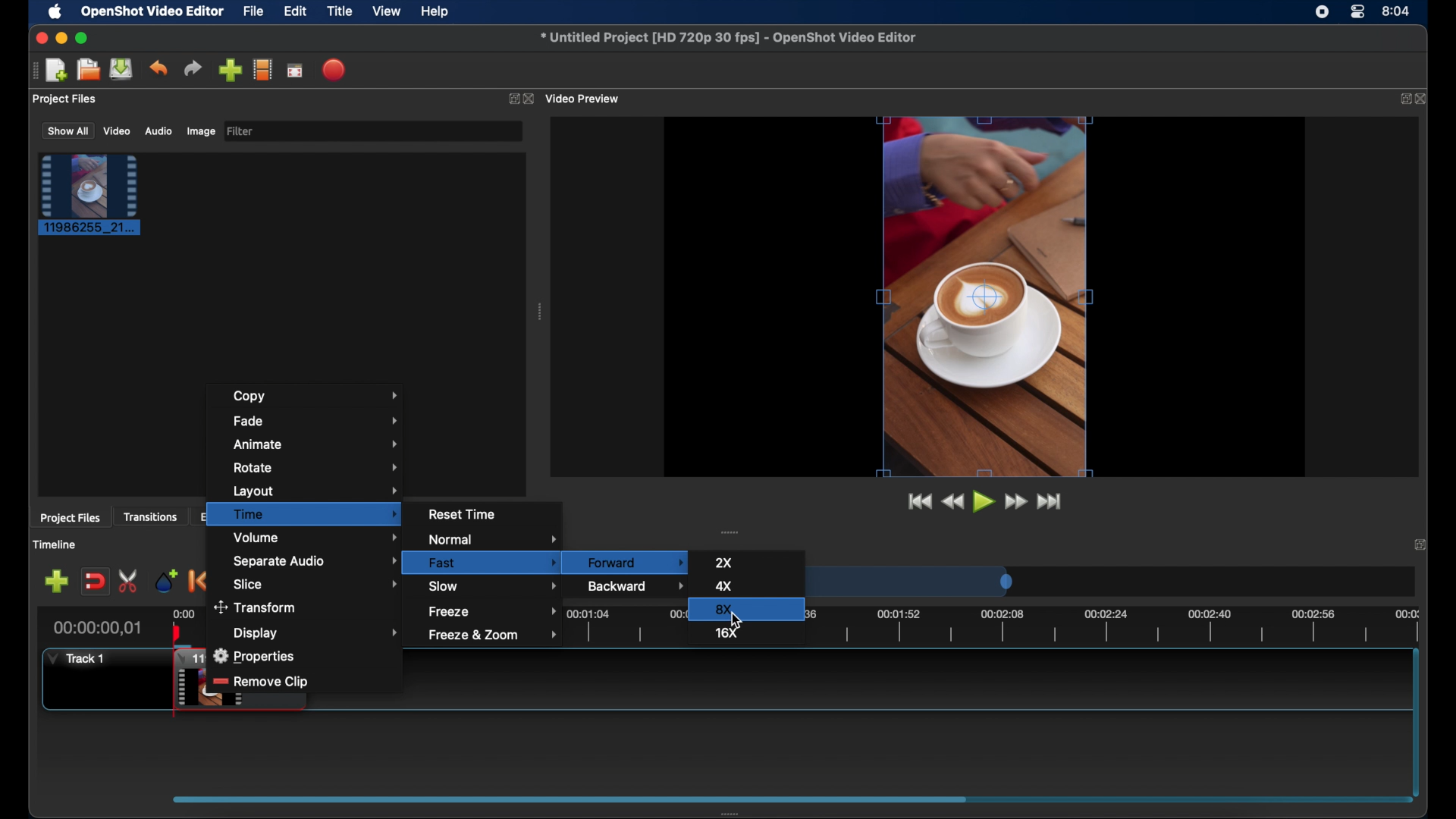  Describe the element at coordinates (167, 581) in the screenshot. I see `add marker` at that location.